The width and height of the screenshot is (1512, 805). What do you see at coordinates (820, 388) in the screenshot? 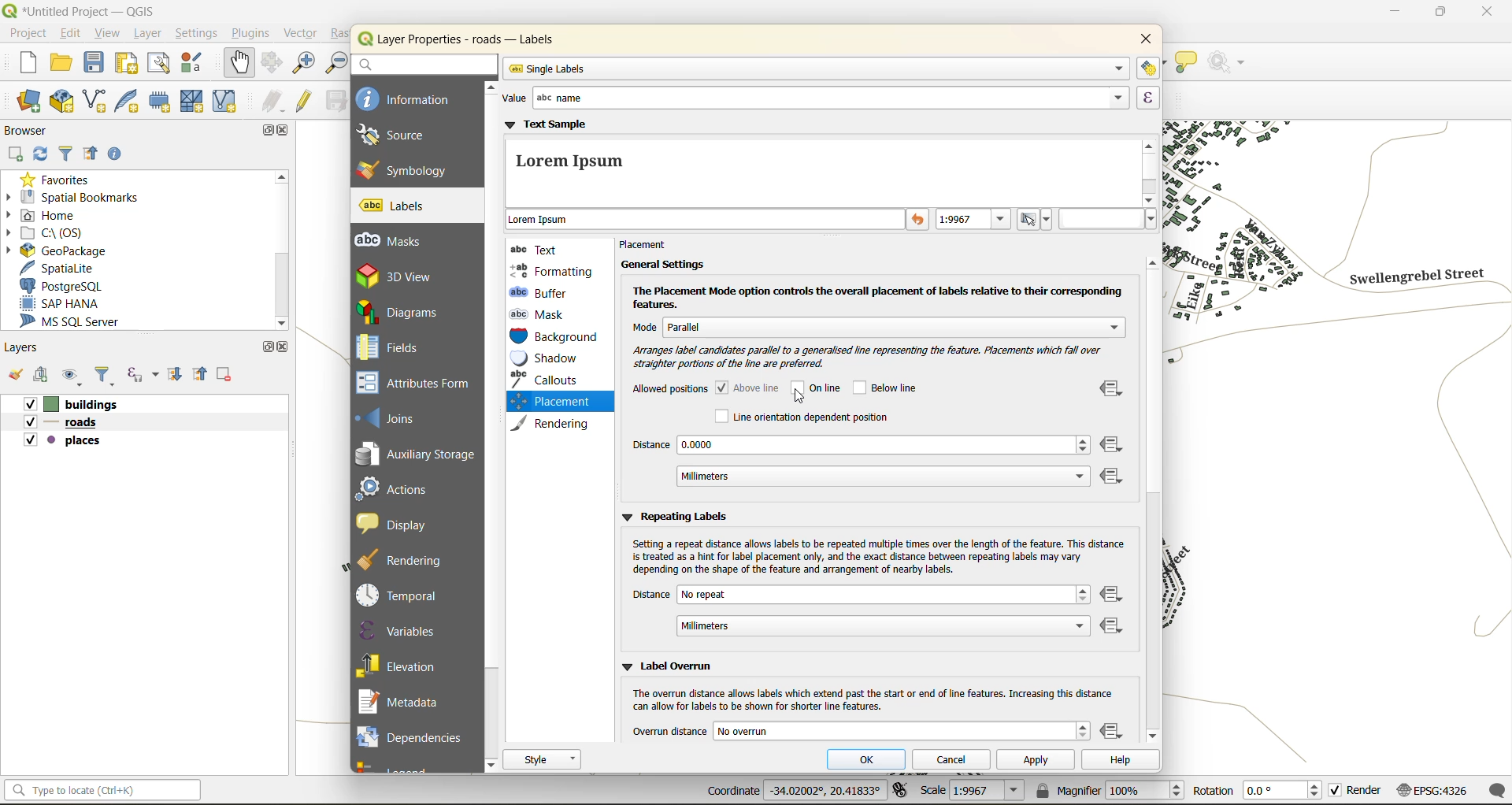
I see `on line` at bounding box center [820, 388].